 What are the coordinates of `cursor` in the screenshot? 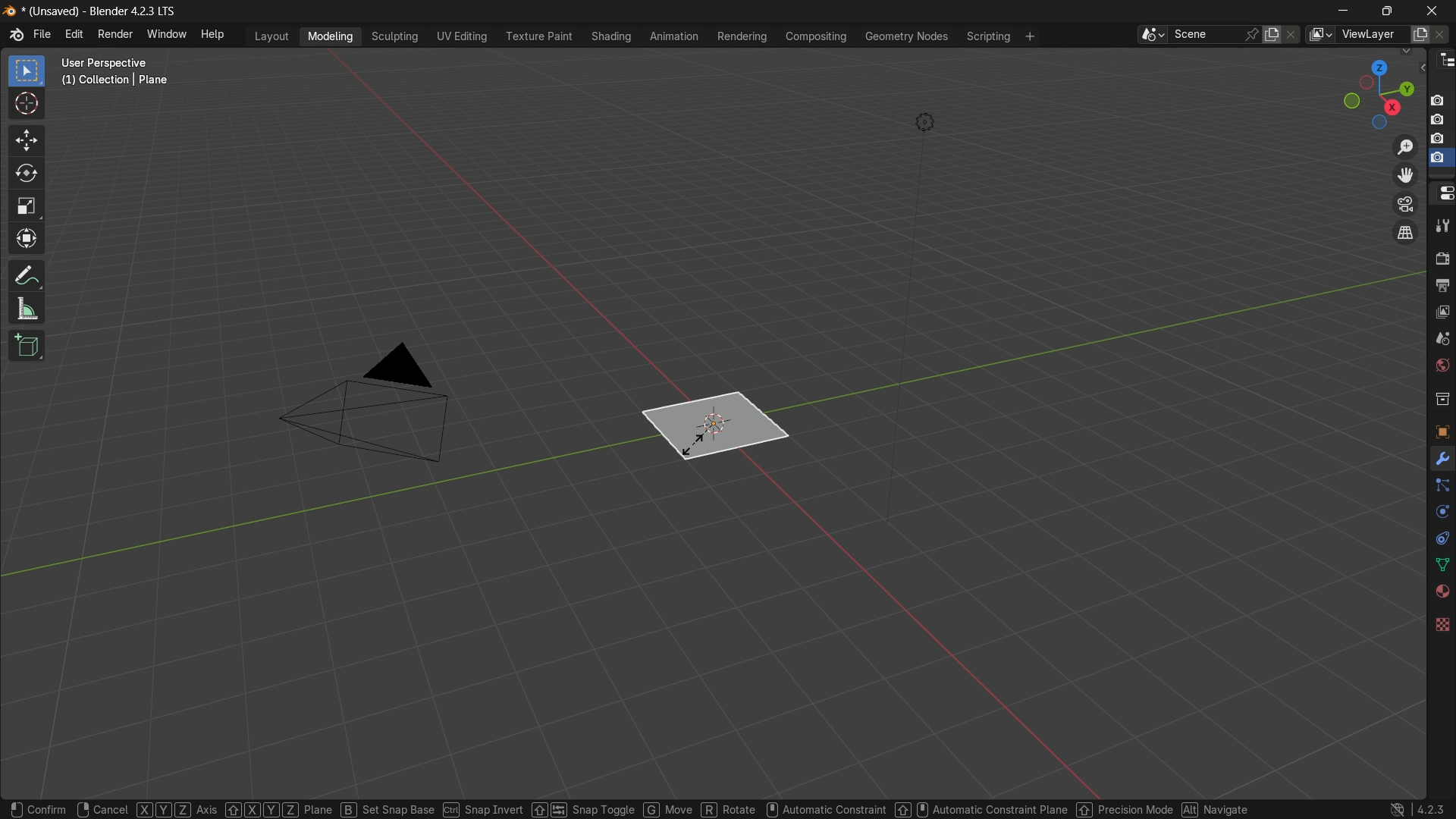 It's located at (27, 105).